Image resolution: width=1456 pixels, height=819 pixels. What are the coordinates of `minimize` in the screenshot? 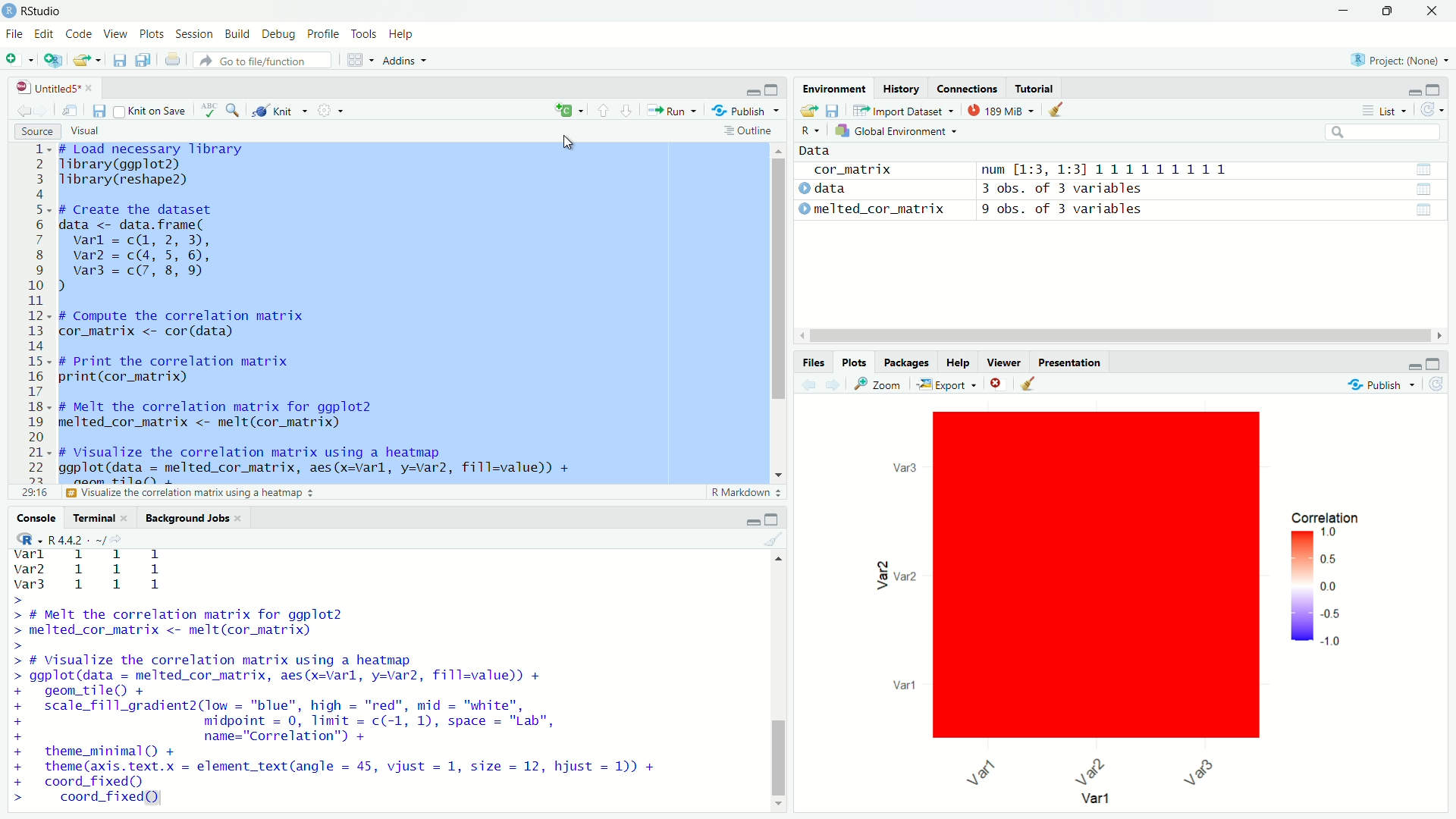 It's located at (754, 87).